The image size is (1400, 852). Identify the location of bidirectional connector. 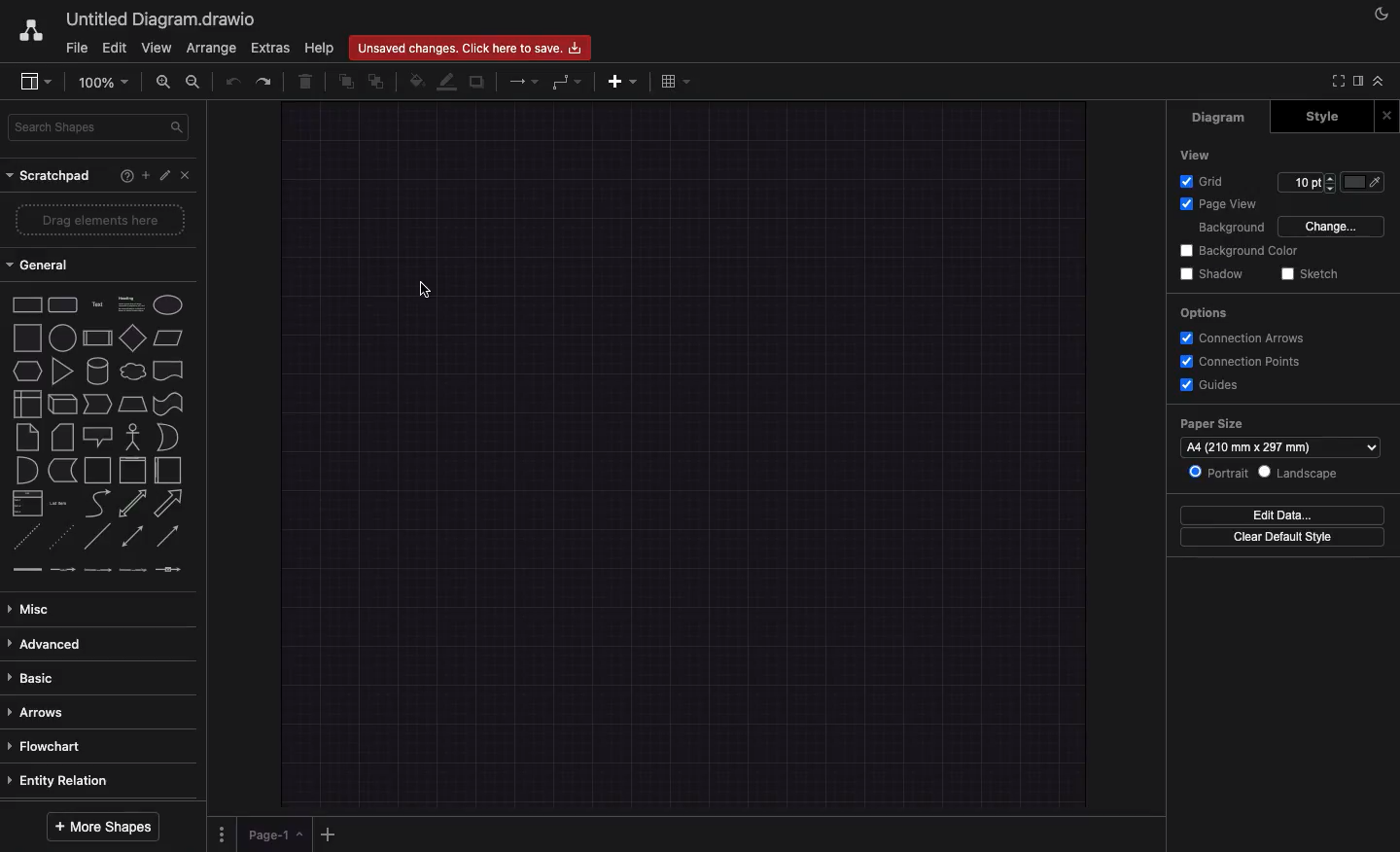
(131, 538).